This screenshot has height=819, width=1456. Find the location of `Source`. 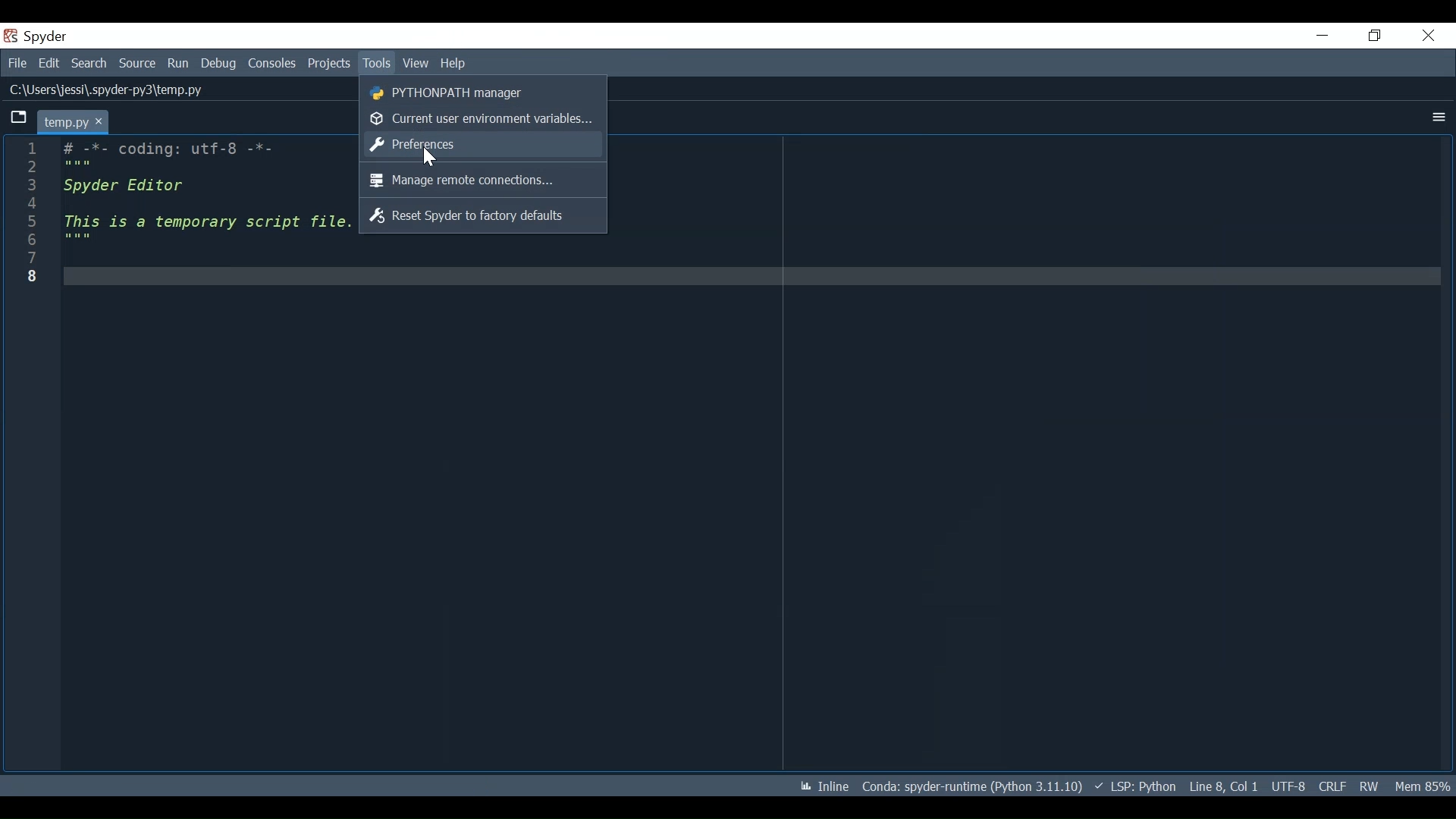

Source is located at coordinates (138, 65).